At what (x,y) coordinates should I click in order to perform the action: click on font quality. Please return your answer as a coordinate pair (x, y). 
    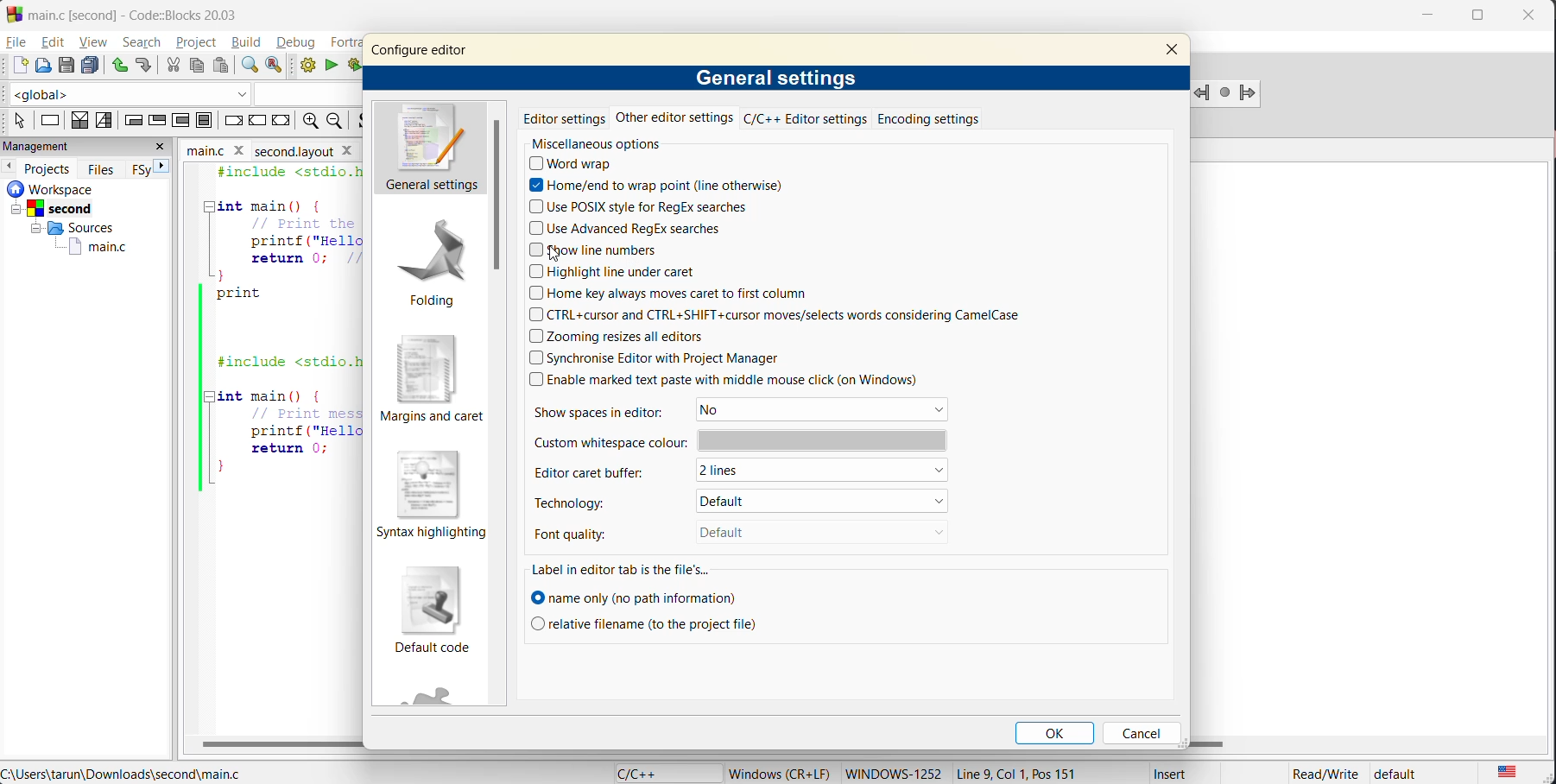
    Looking at the image, I should click on (587, 534).